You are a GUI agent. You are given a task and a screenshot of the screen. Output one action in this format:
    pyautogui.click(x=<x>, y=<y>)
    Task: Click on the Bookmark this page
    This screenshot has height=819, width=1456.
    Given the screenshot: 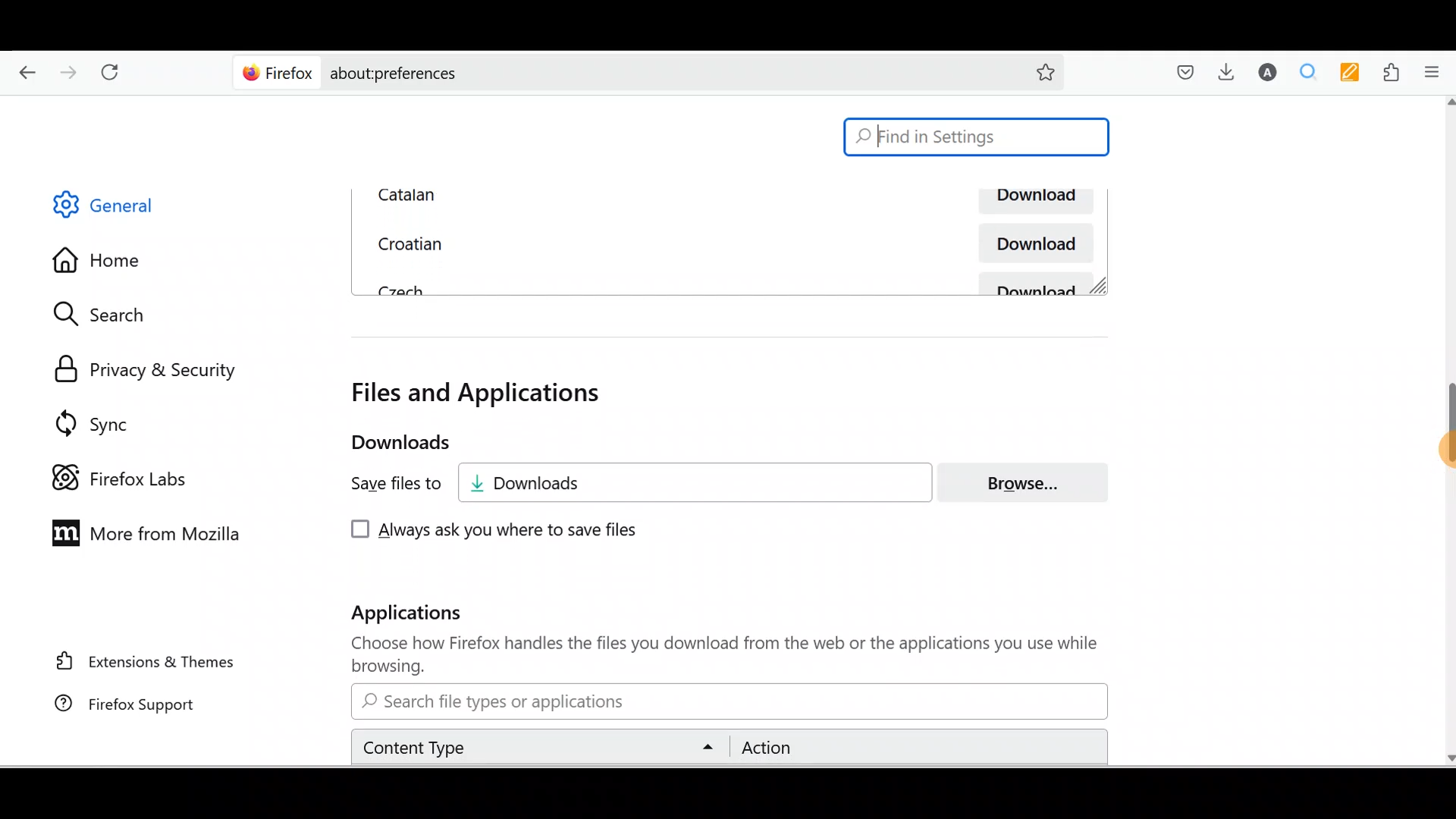 What is the action you would take?
    pyautogui.click(x=1046, y=71)
    